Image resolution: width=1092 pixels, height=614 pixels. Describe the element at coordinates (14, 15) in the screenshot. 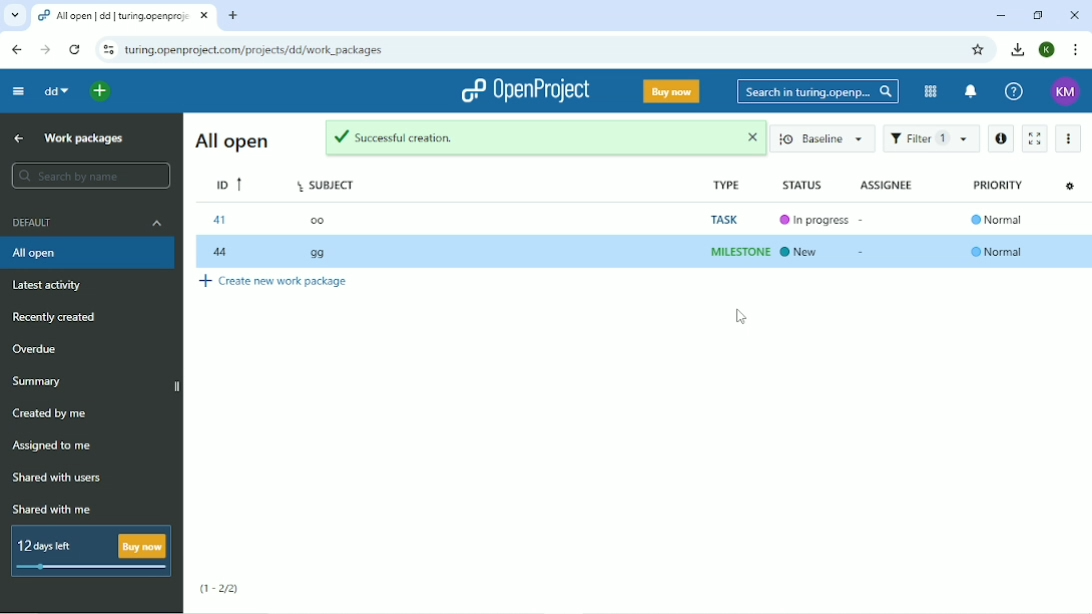

I see `Search tabs` at that location.